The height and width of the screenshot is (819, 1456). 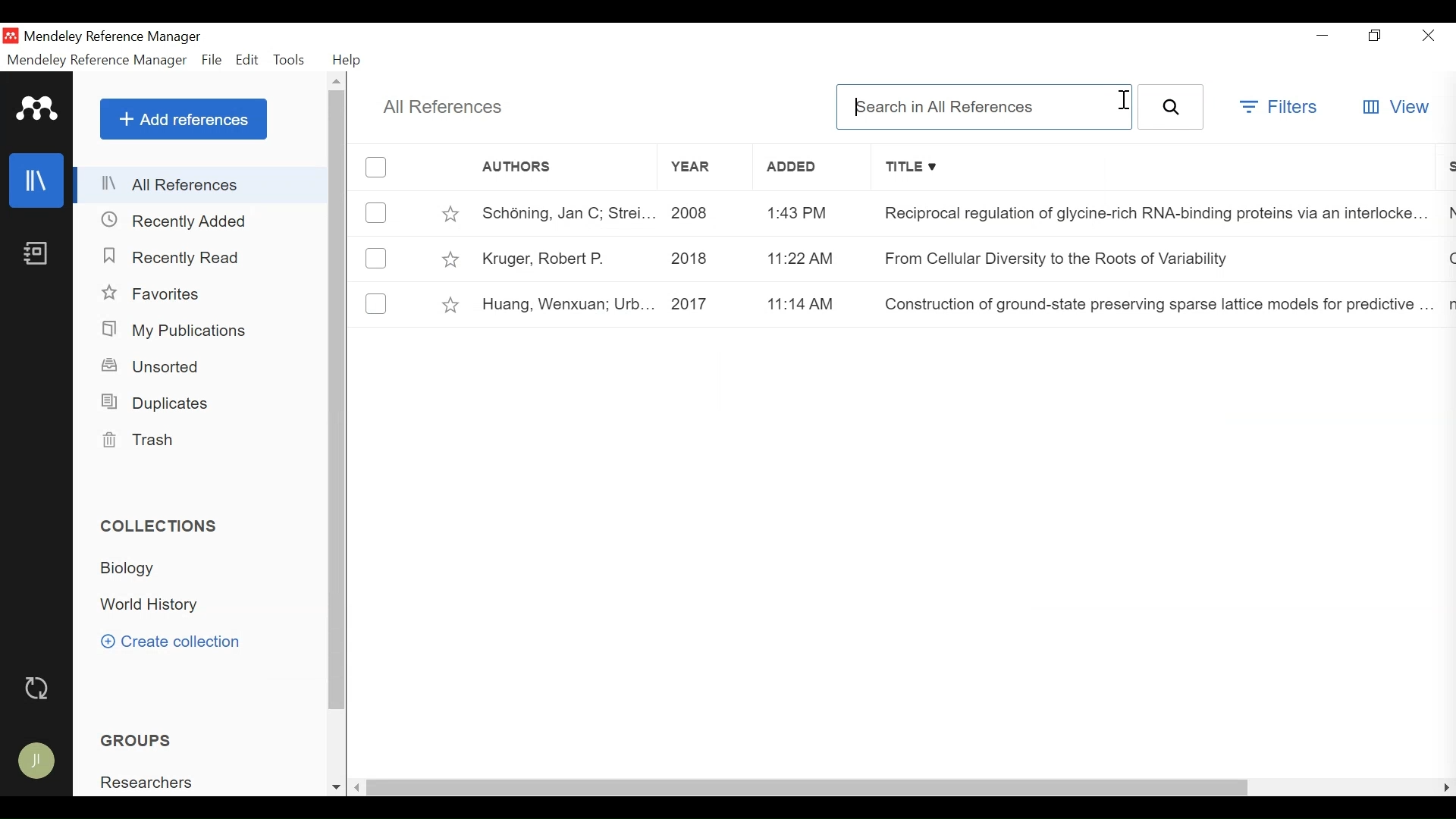 What do you see at coordinates (563, 213) in the screenshot?
I see `Schoning, Jan C, Strel.` at bounding box center [563, 213].